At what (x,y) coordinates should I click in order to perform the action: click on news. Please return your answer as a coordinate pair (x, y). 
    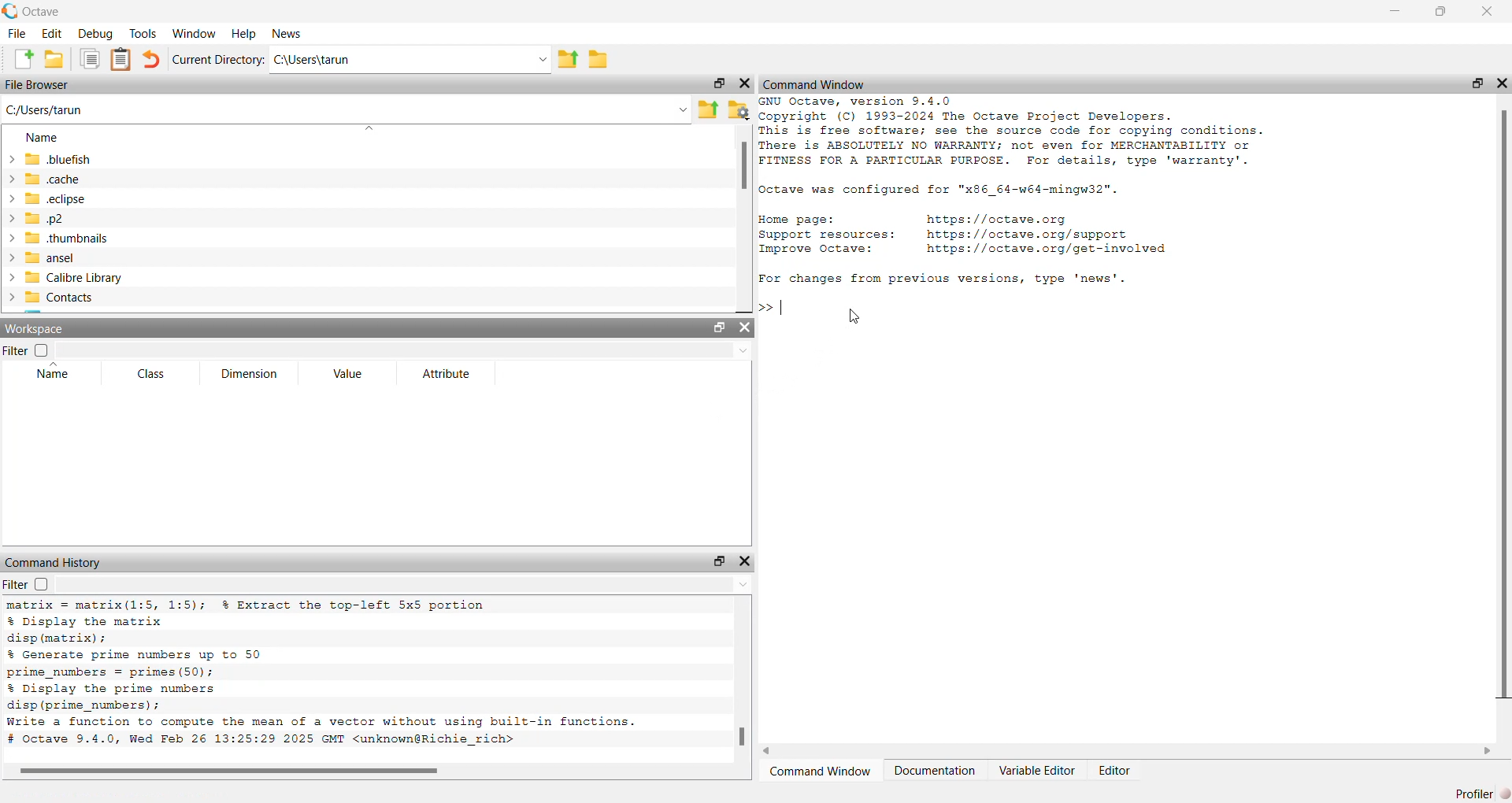
    Looking at the image, I should click on (288, 35).